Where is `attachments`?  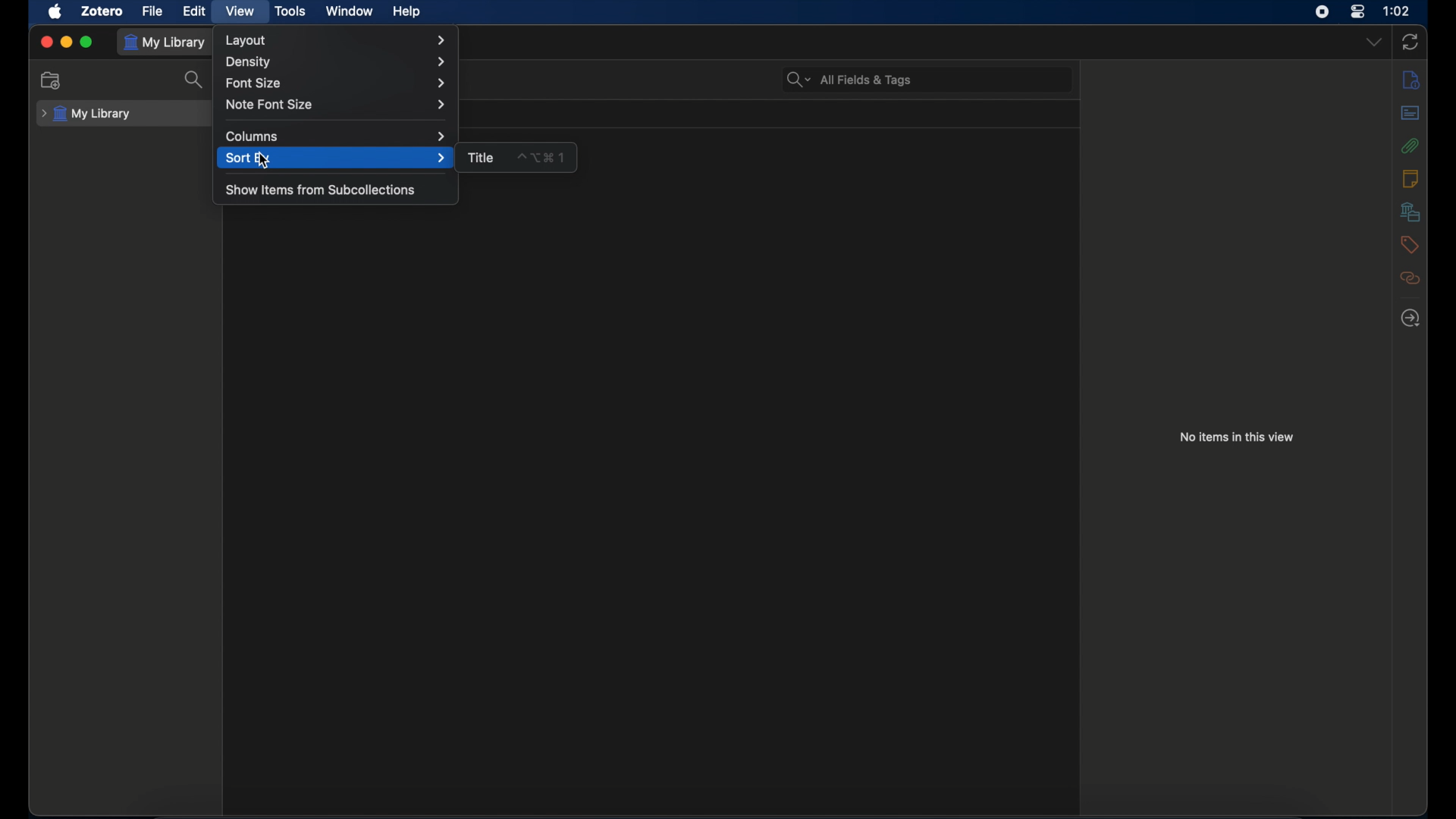 attachments is located at coordinates (1410, 146).